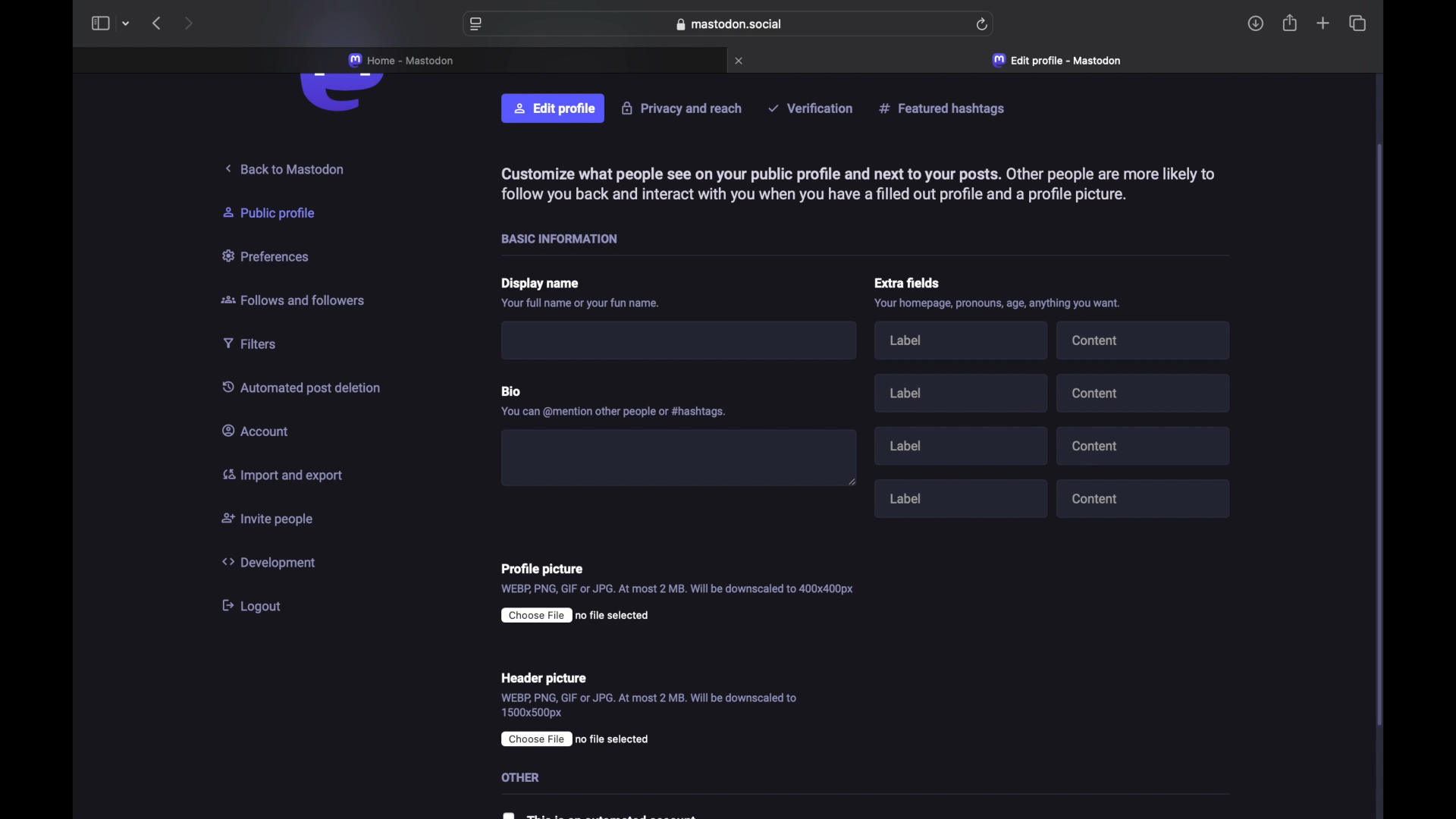 The height and width of the screenshot is (819, 1456). What do you see at coordinates (617, 412) in the screenshot?
I see `info` at bounding box center [617, 412].